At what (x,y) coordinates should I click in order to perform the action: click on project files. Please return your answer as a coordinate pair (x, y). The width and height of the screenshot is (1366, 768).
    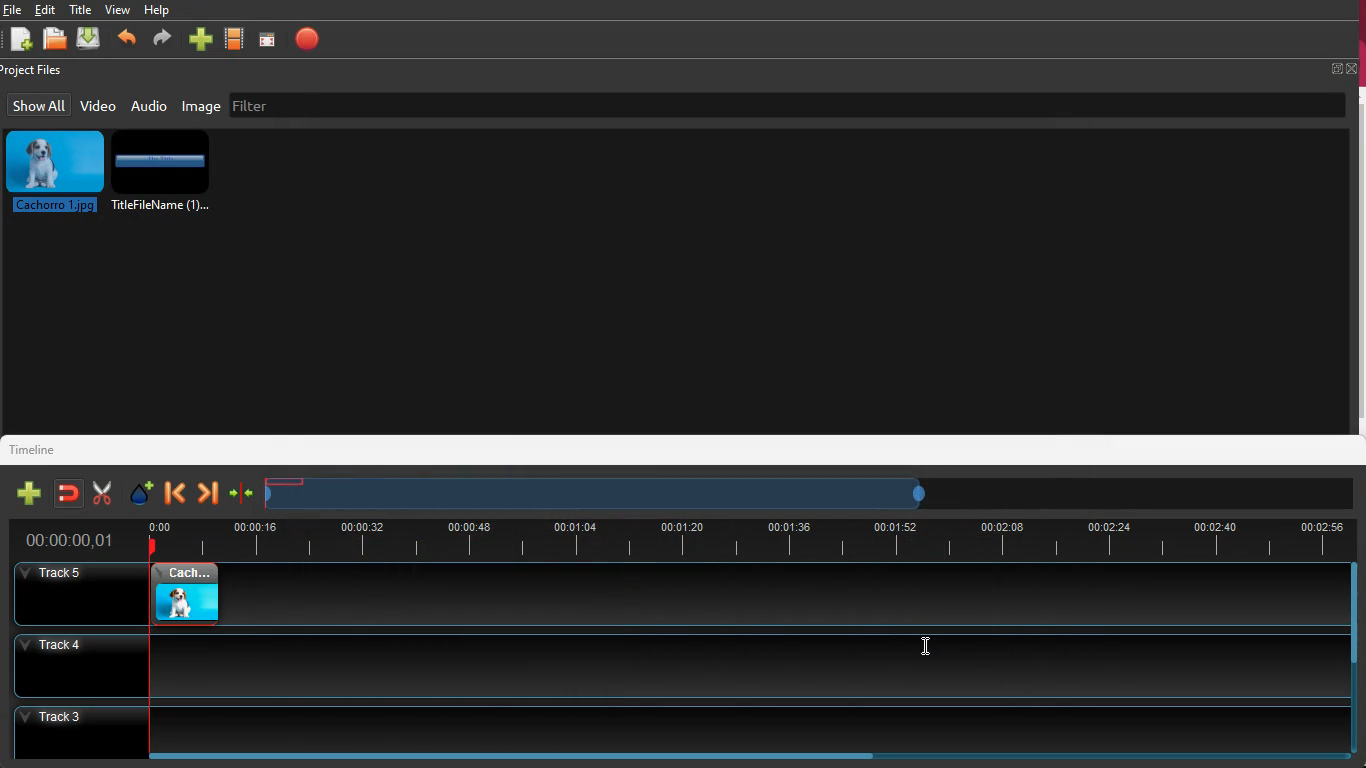
    Looking at the image, I should click on (36, 71).